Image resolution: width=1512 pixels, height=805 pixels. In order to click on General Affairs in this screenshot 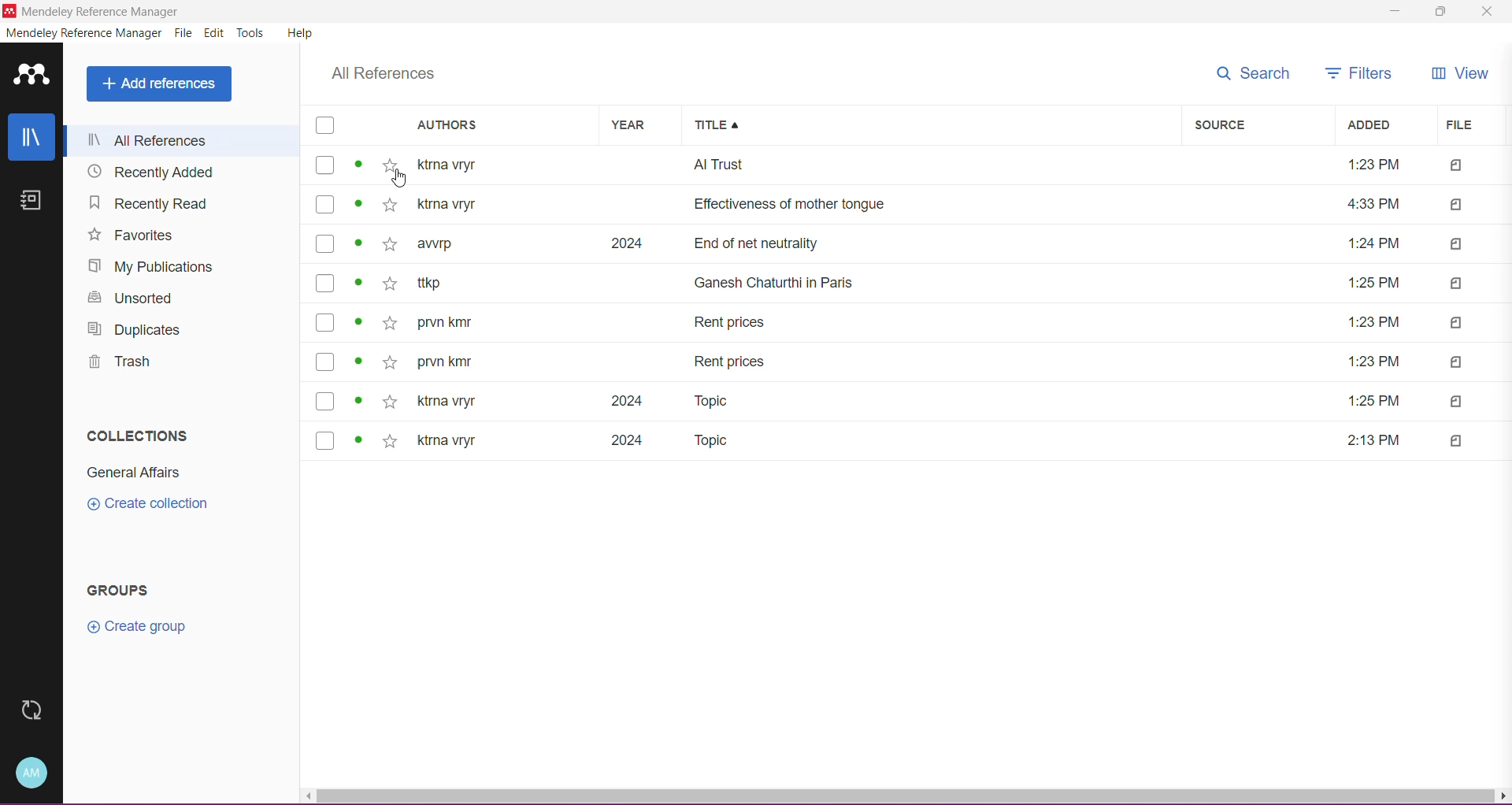, I will do `click(128, 475)`.